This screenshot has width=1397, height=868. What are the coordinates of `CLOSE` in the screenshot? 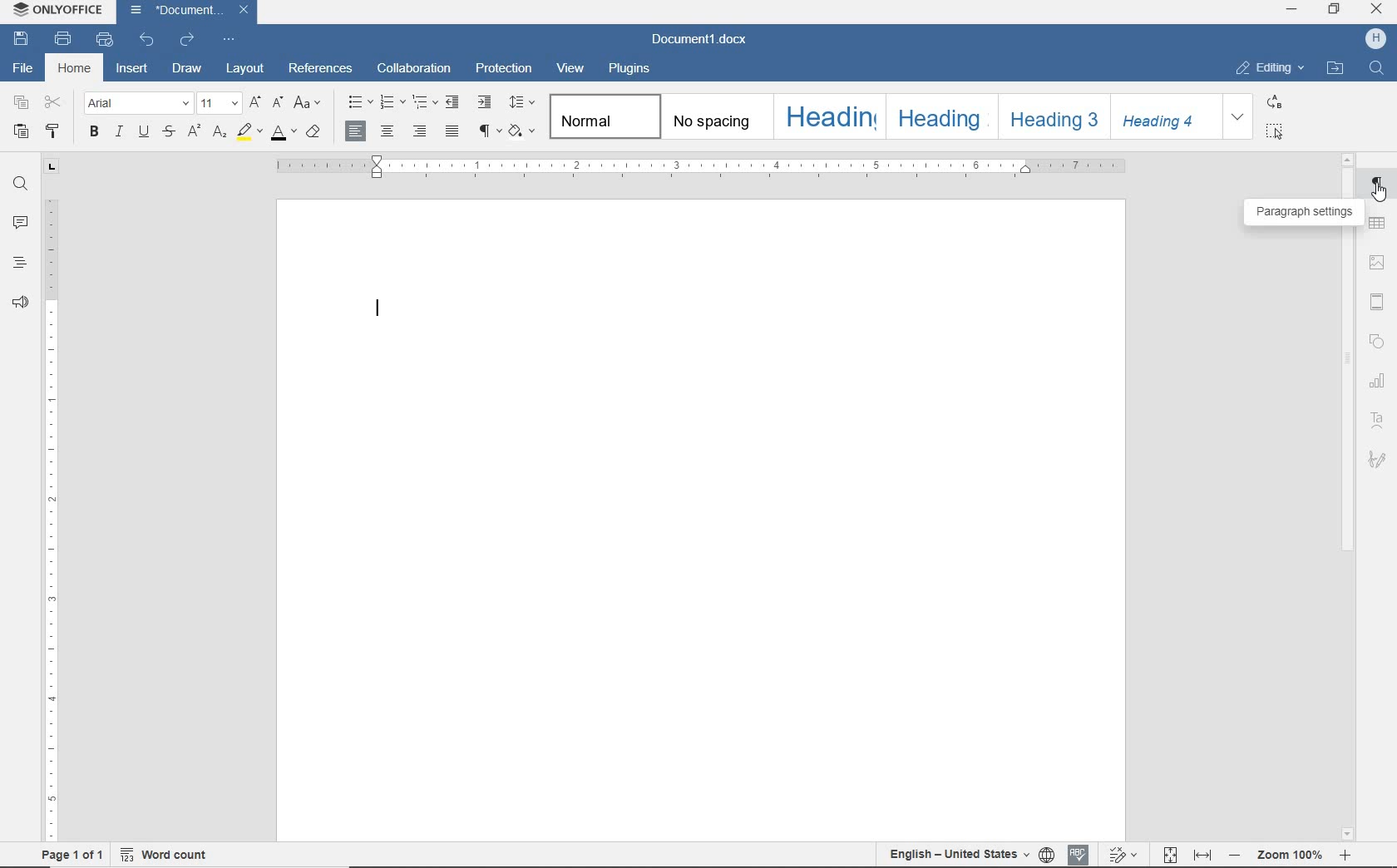 It's located at (1375, 9).